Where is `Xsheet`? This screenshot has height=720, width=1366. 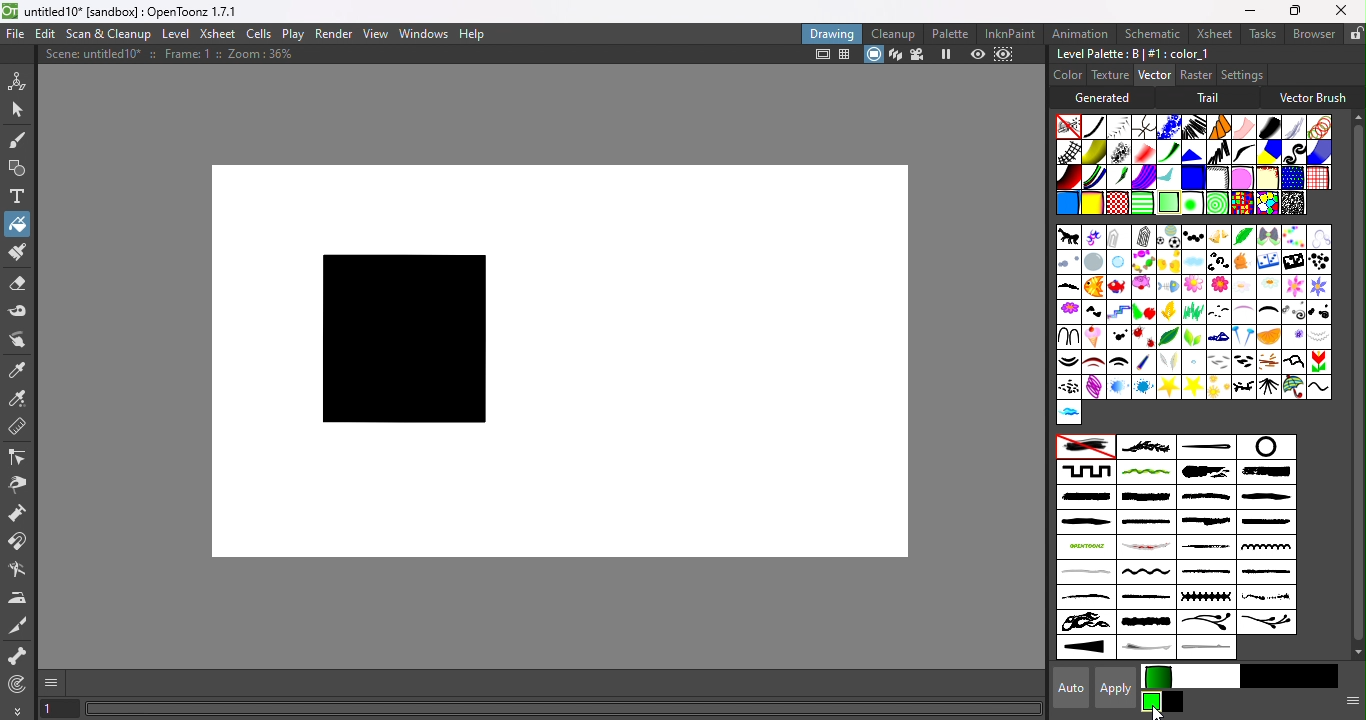
Xsheet is located at coordinates (1211, 33).